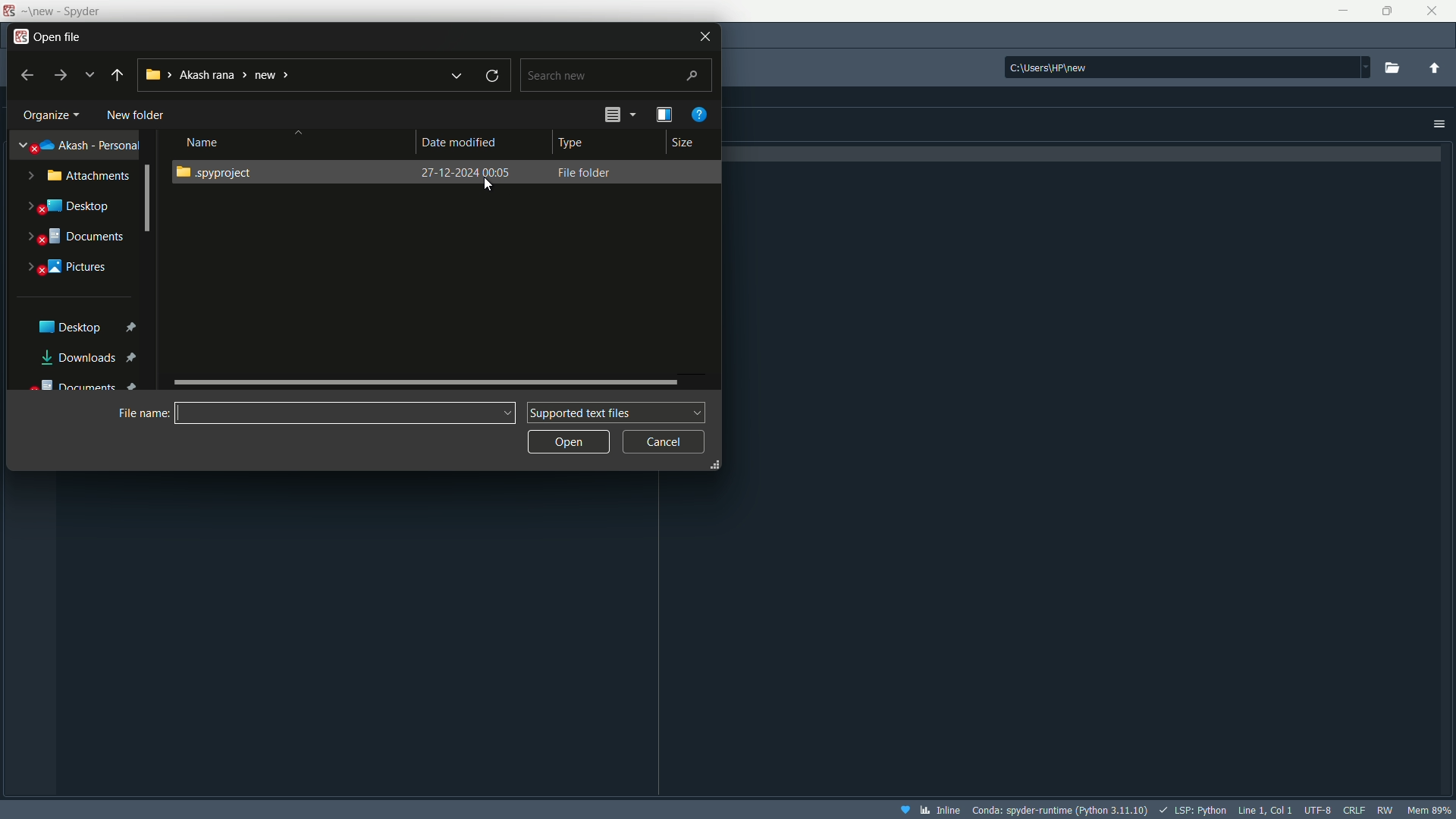 This screenshot has width=1456, height=819. I want to click on directory, so click(1188, 65).